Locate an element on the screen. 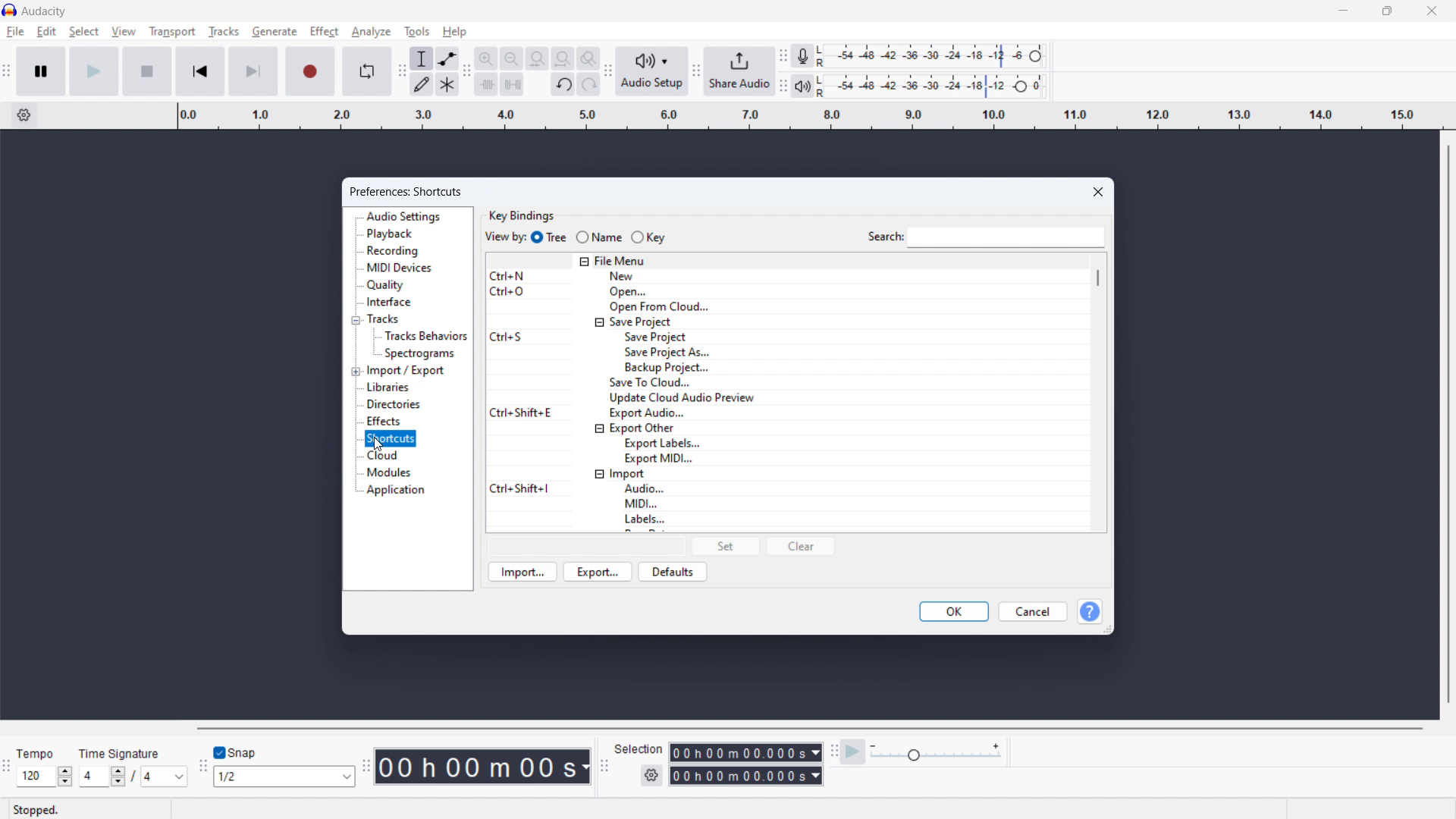  close is located at coordinates (1098, 193).